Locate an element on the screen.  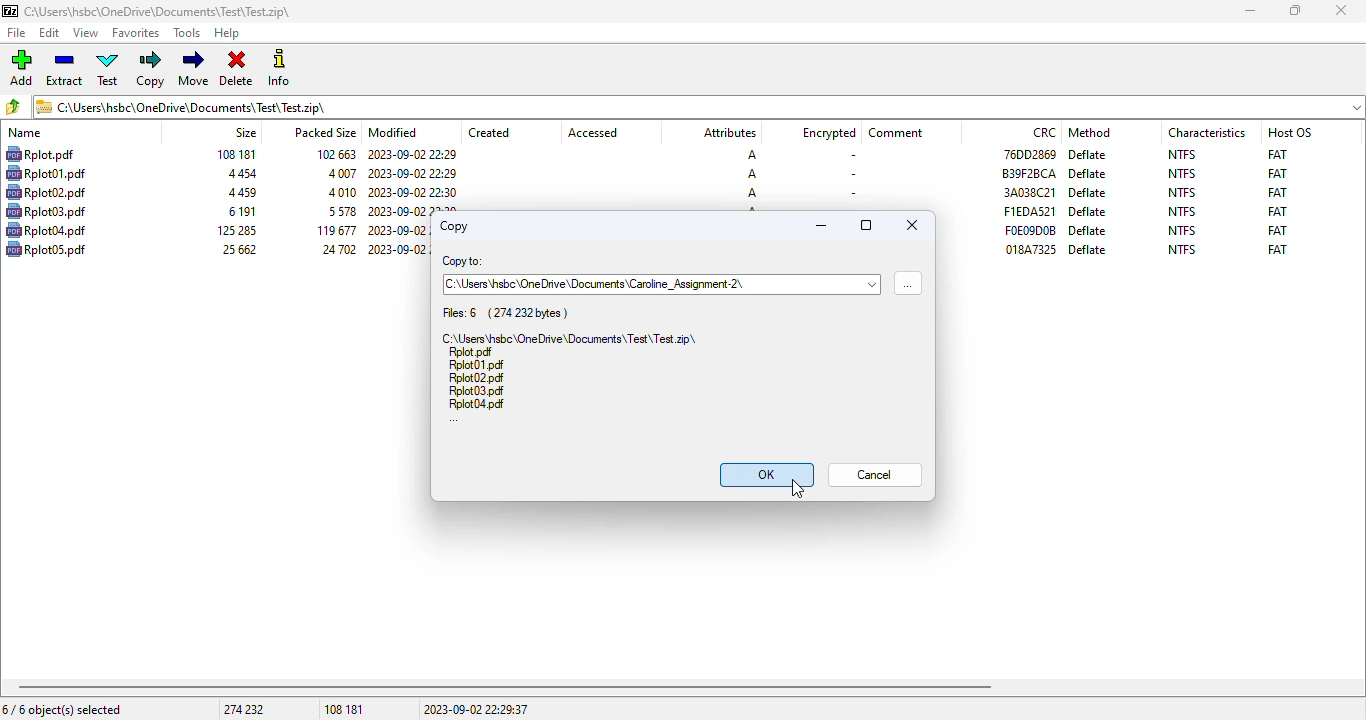
FAT is located at coordinates (1277, 249).